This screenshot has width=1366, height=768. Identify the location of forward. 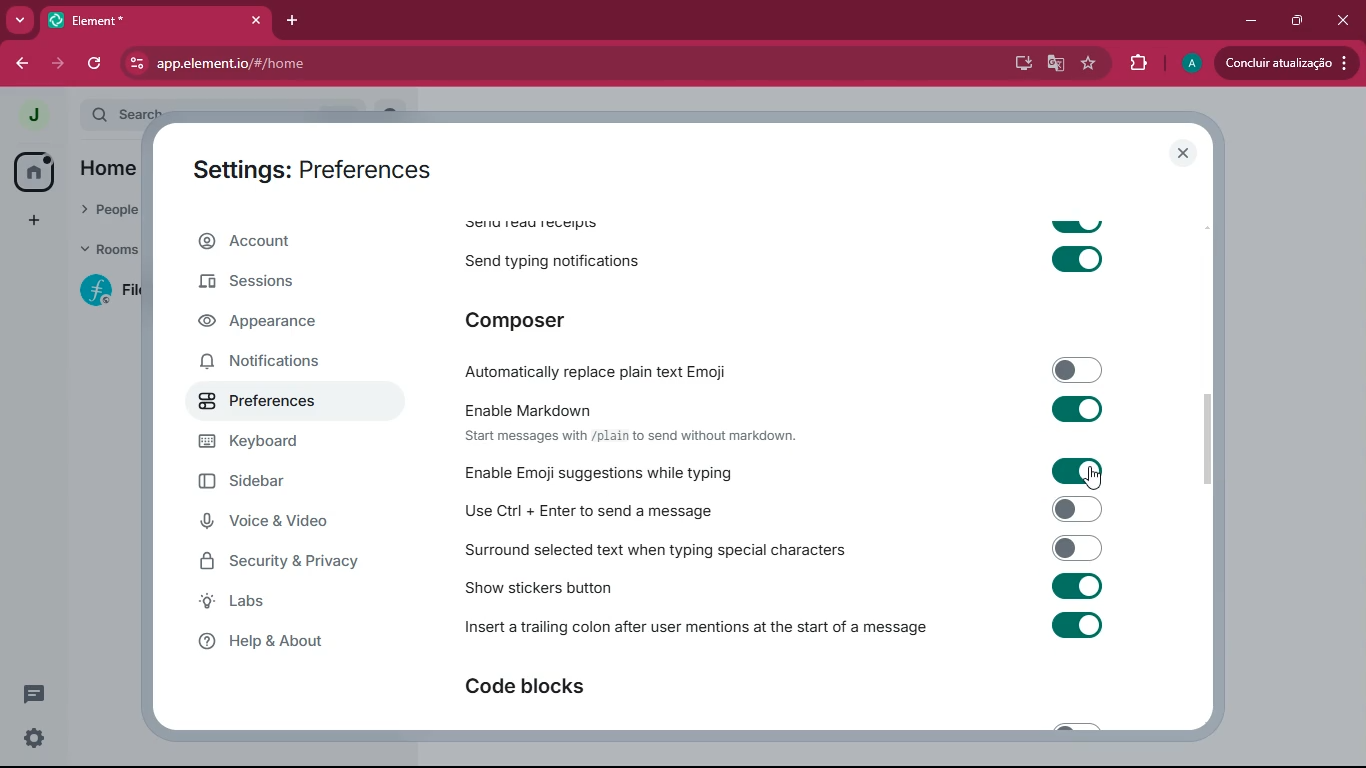
(55, 63).